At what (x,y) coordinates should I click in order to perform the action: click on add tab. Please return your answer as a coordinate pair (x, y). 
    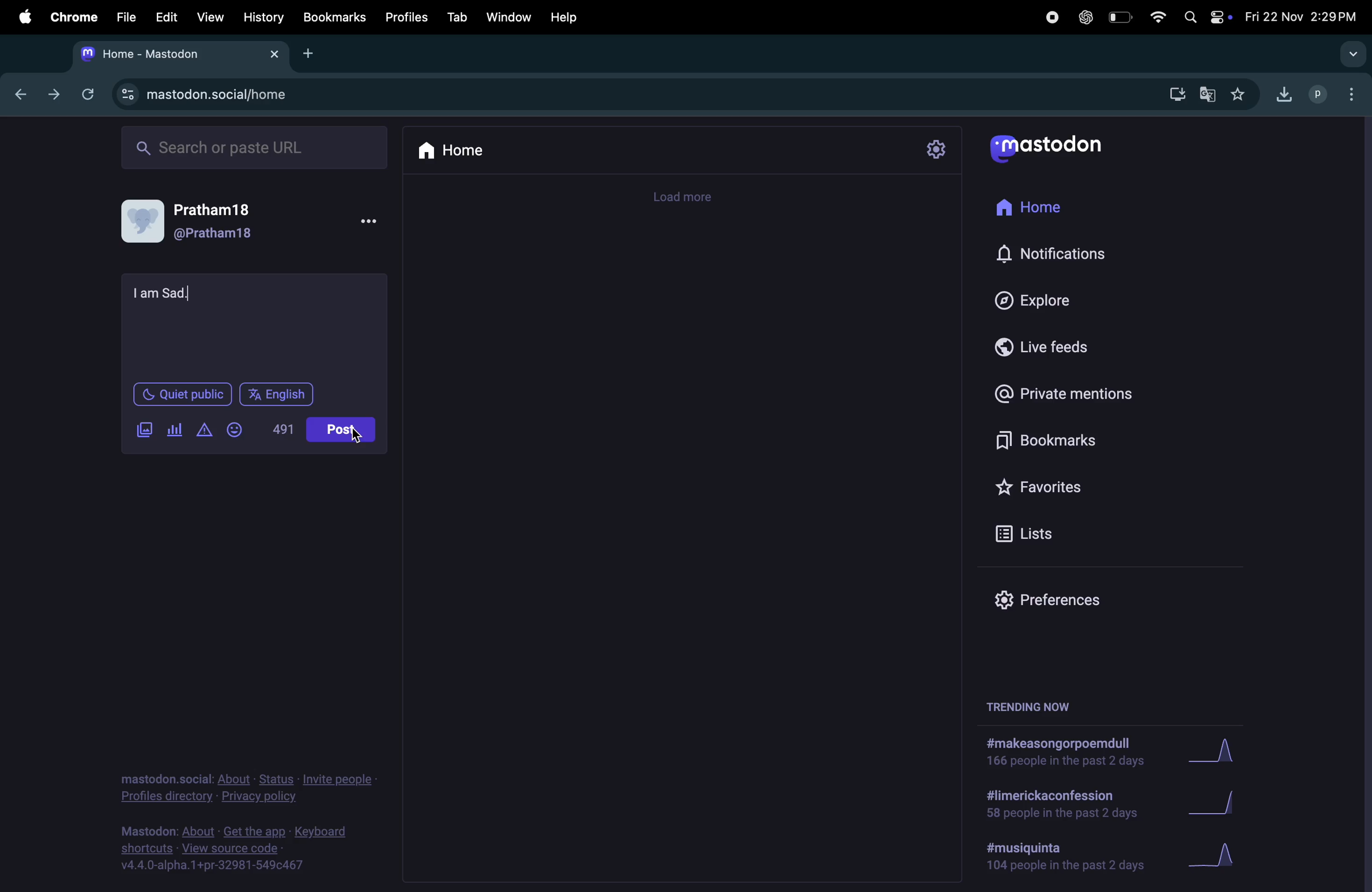
    Looking at the image, I should click on (315, 54).